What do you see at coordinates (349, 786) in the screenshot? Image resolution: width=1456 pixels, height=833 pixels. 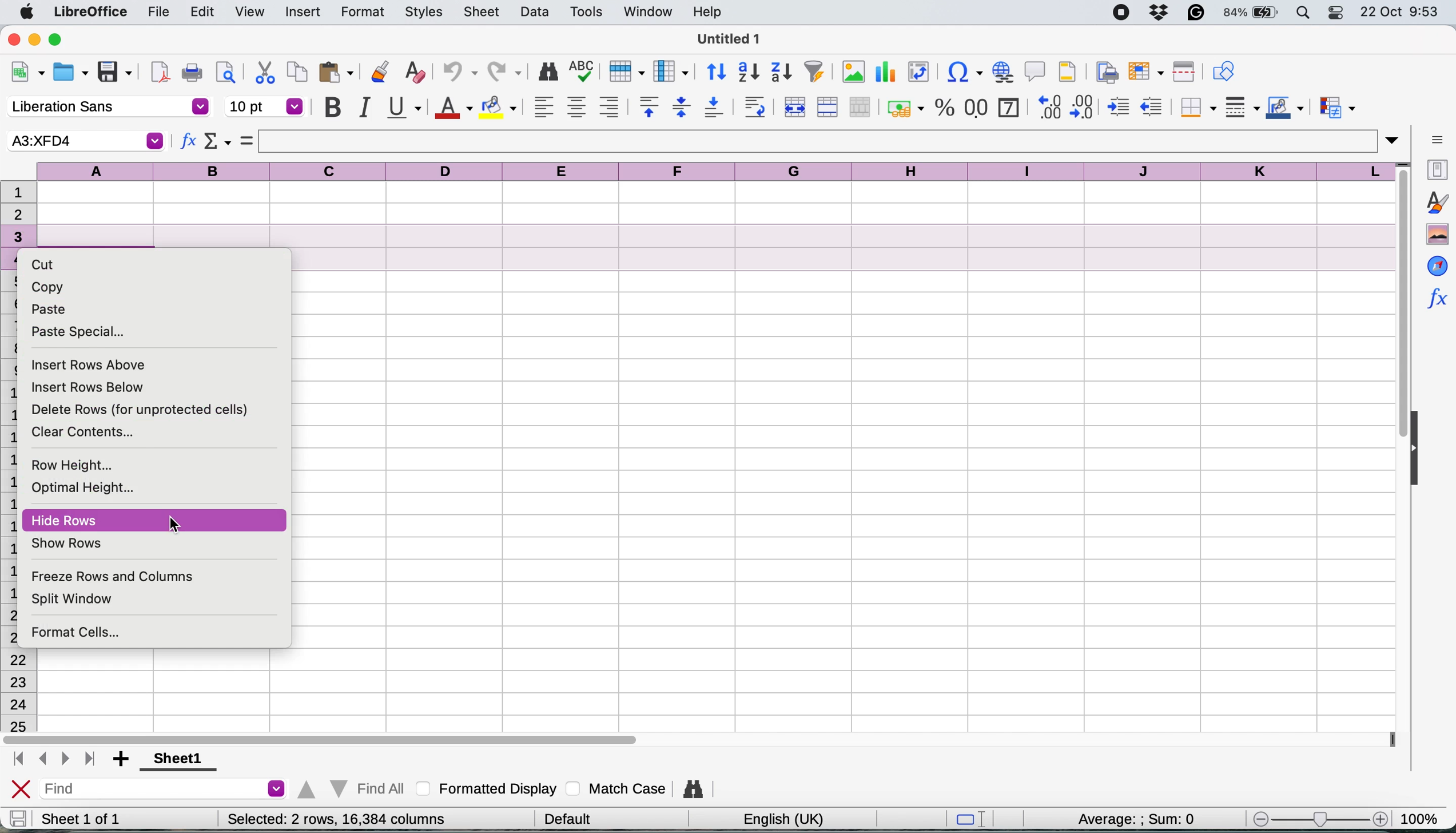 I see `find all` at bounding box center [349, 786].